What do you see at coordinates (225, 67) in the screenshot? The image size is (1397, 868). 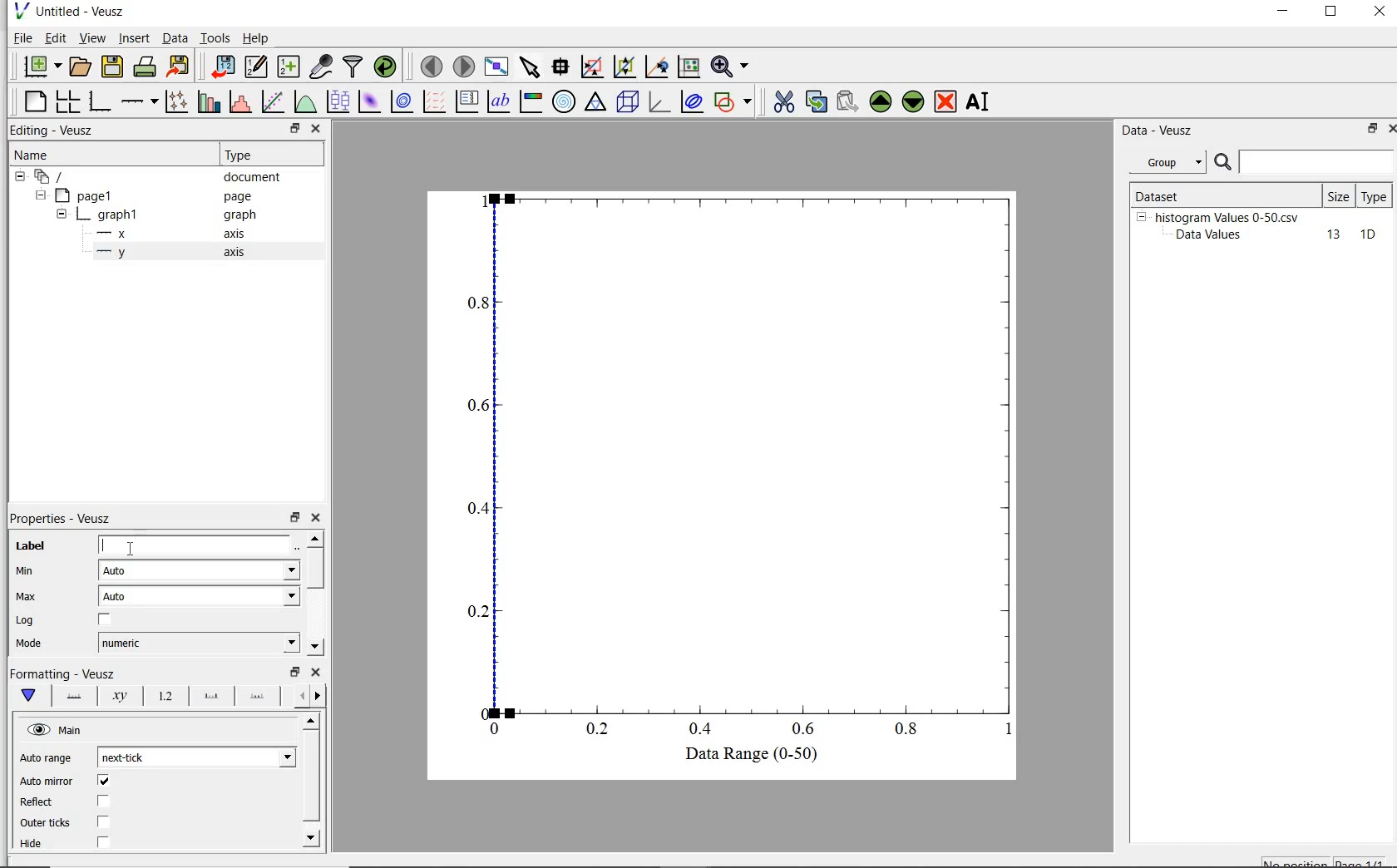 I see `import data into veusz` at bounding box center [225, 67].